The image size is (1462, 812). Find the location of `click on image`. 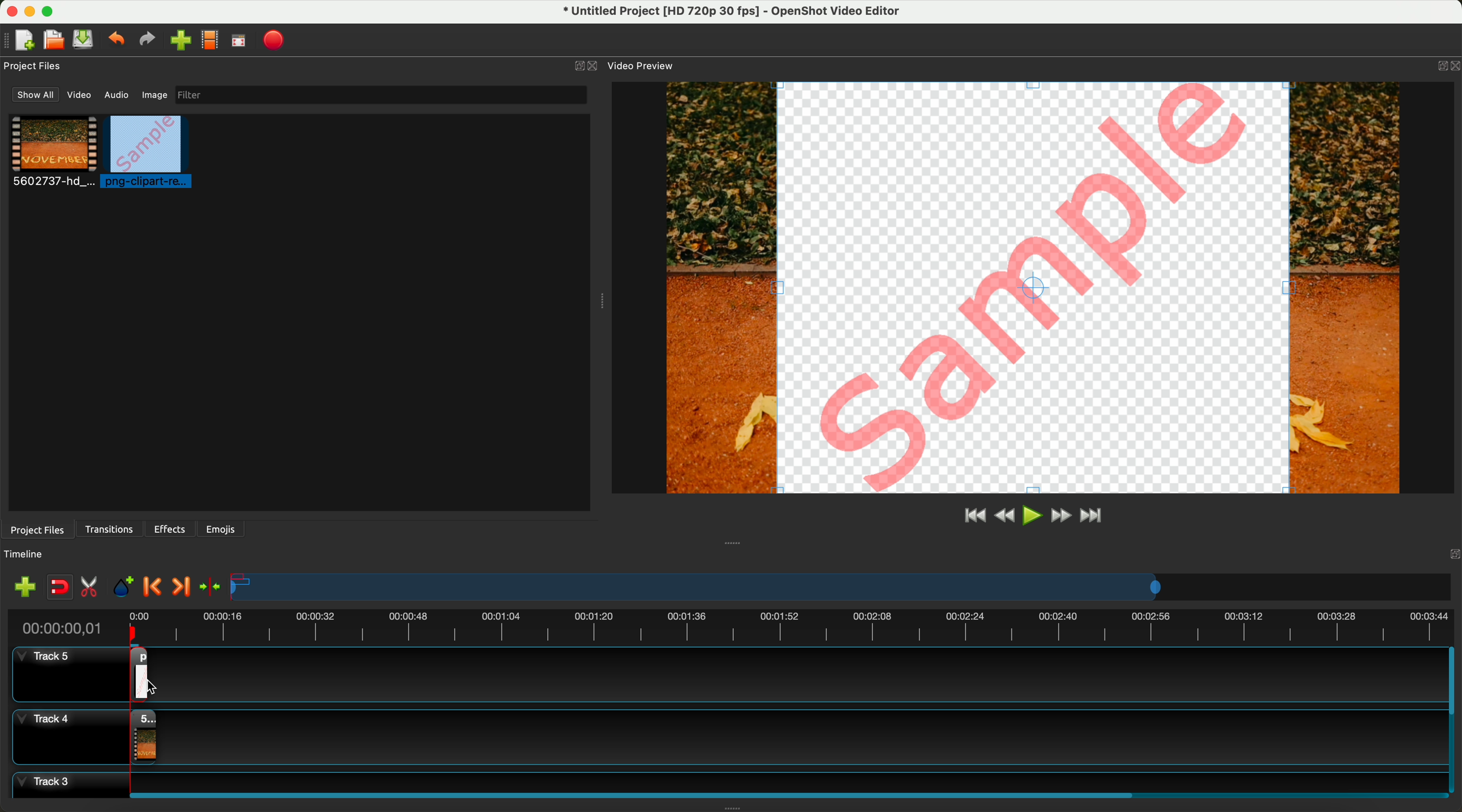

click on image is located at coordinates (150, 153).